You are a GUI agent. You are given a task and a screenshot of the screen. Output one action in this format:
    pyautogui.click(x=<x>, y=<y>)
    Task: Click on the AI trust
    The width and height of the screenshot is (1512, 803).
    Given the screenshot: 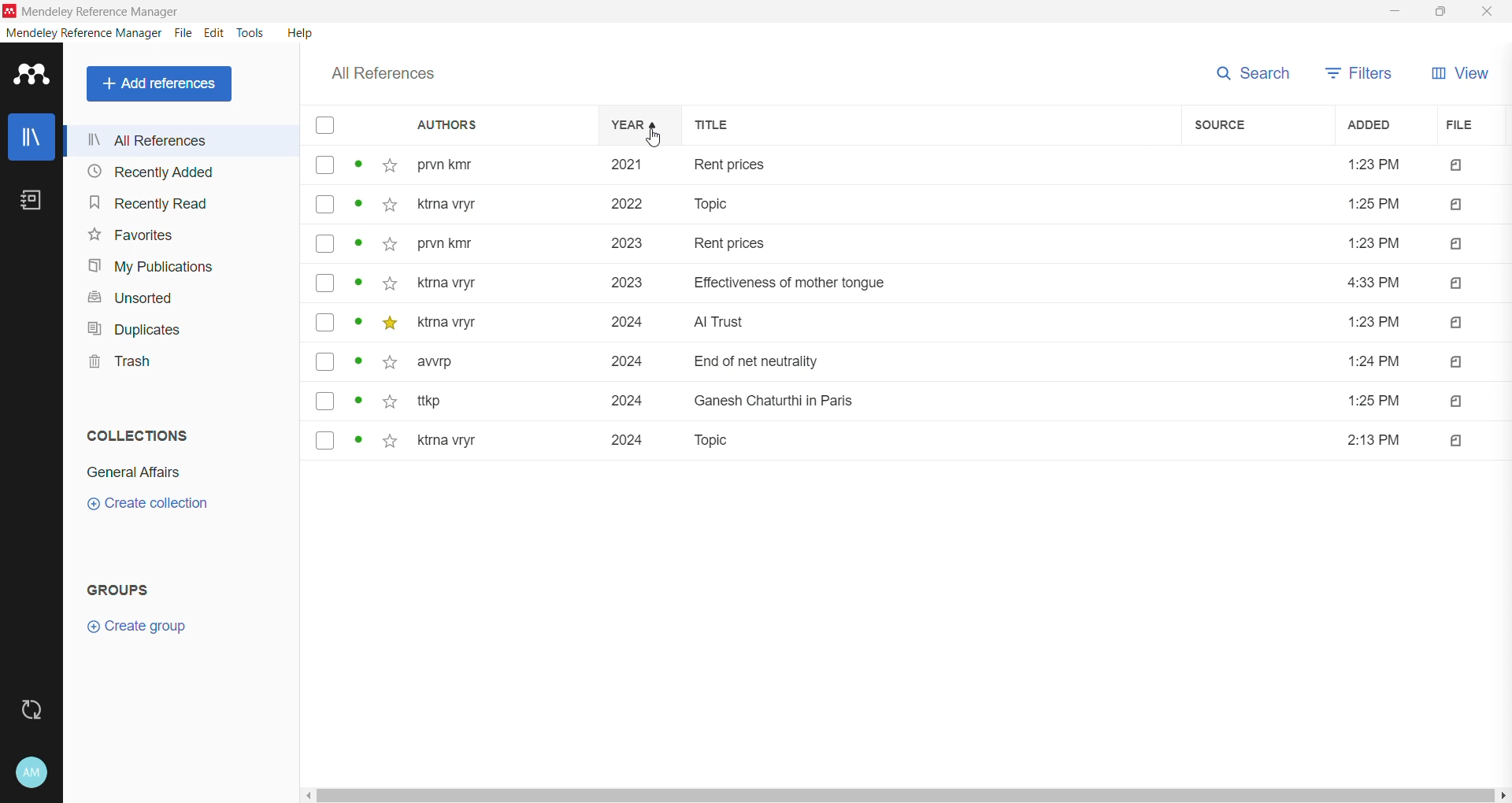 What is the action you would take?
    pyautogui.click(x=725, y=322)
    